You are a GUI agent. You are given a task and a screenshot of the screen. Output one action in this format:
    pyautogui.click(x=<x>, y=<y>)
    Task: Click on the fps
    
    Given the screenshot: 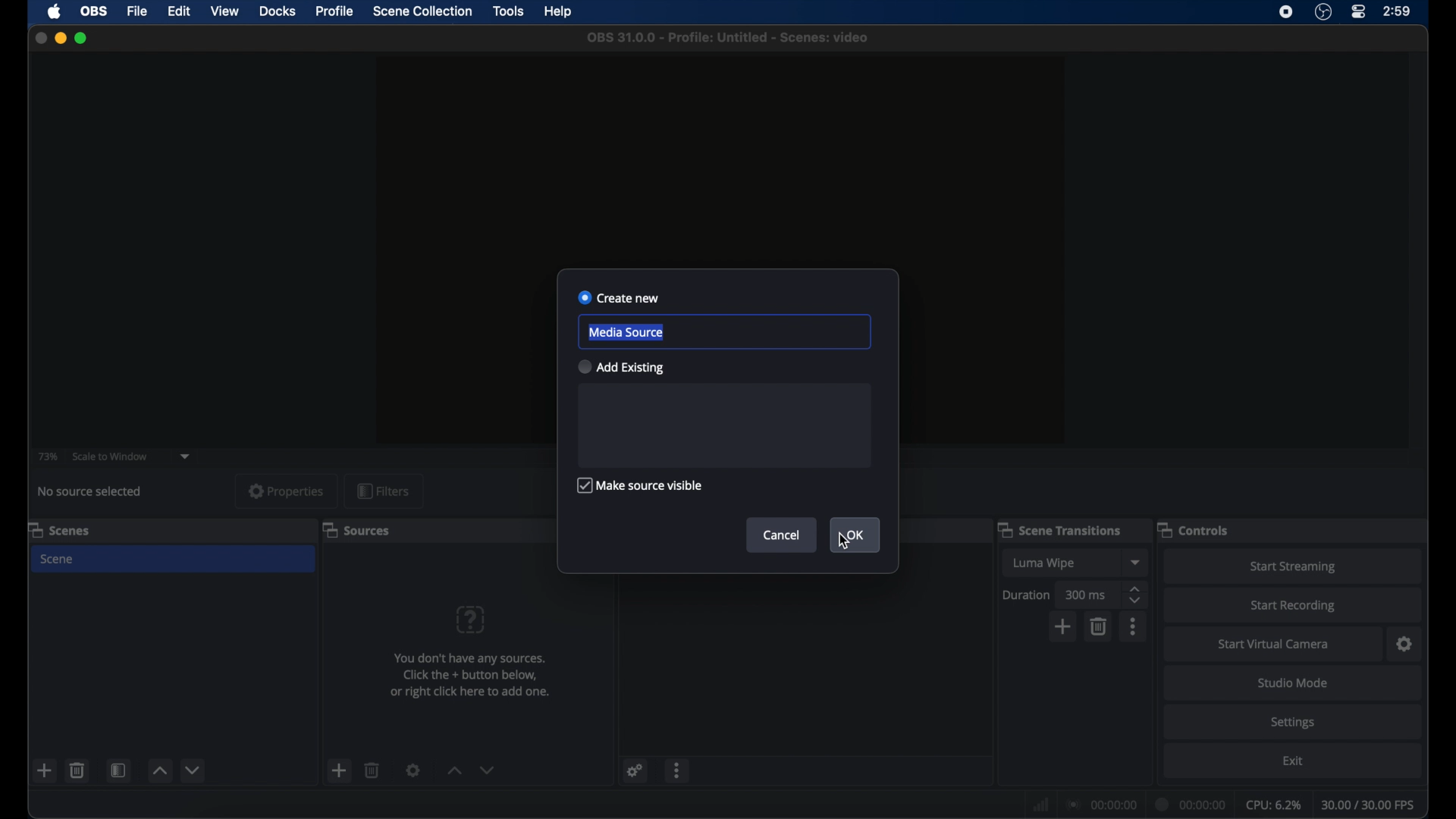 What is the action you would take?
    pyautogui.click(x=1369, y=805)
    